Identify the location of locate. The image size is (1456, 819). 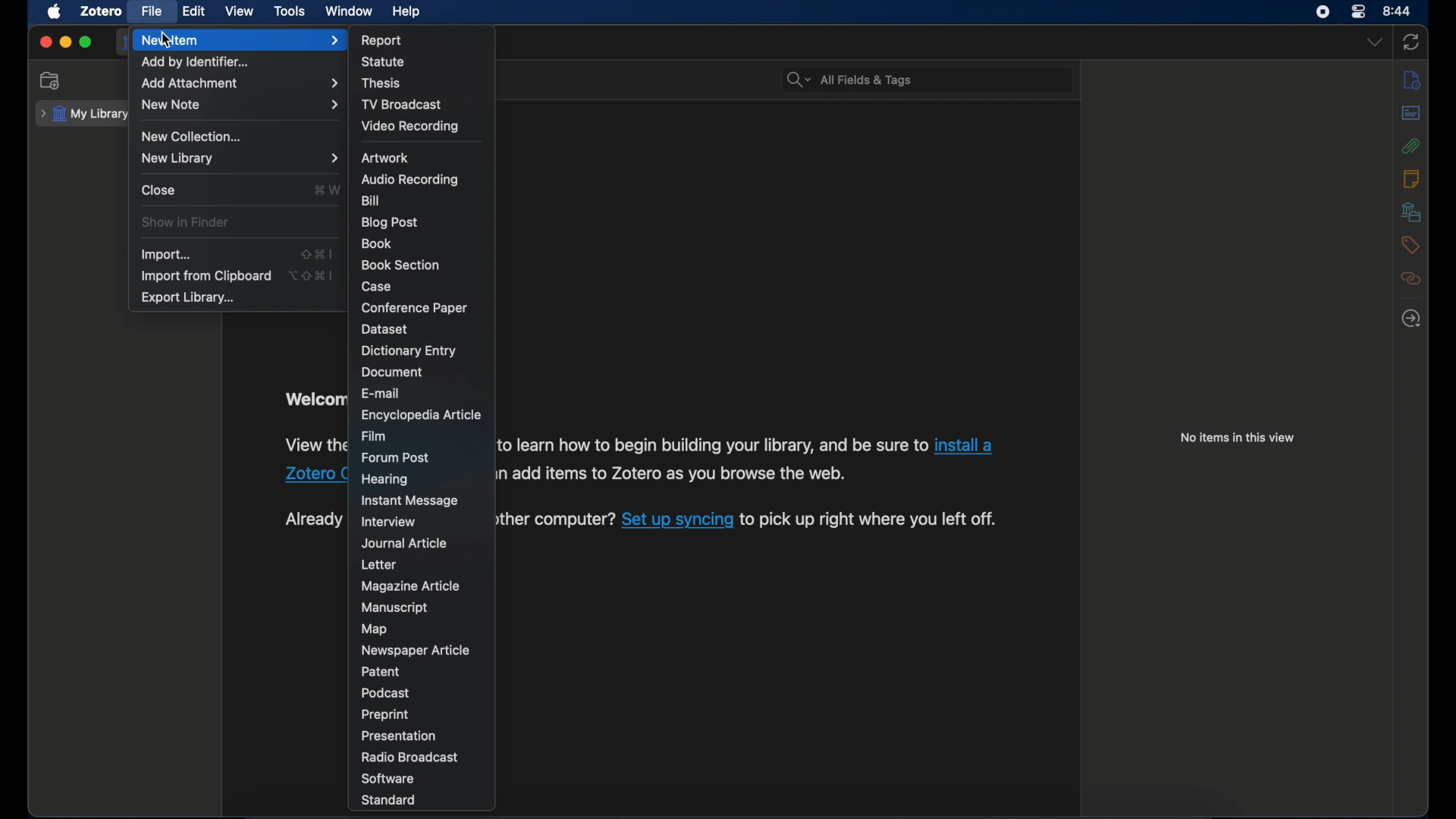
(1410, 319).